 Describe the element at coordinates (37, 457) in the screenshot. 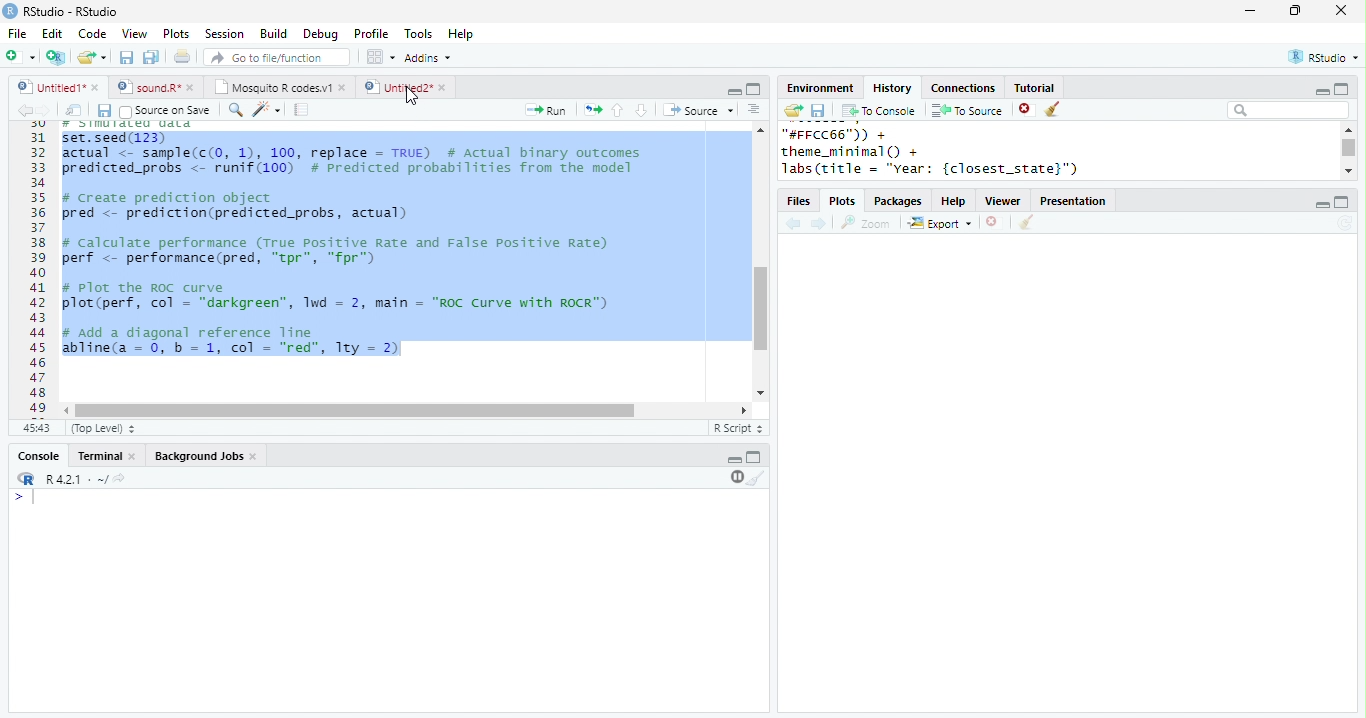

I see `console` at that location.